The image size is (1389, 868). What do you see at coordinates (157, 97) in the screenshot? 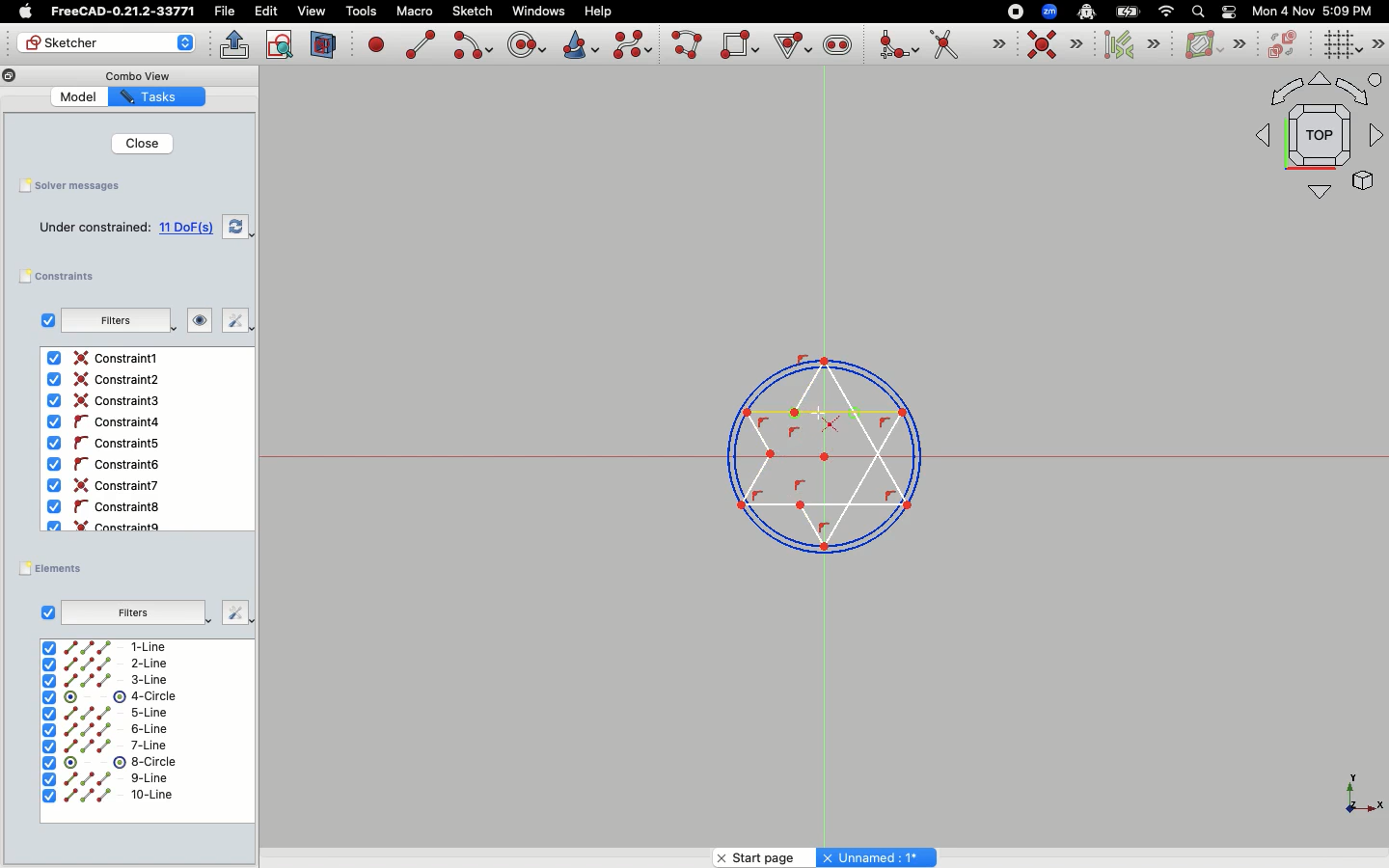
I see `Tasks` at bounding box center [157, 97].